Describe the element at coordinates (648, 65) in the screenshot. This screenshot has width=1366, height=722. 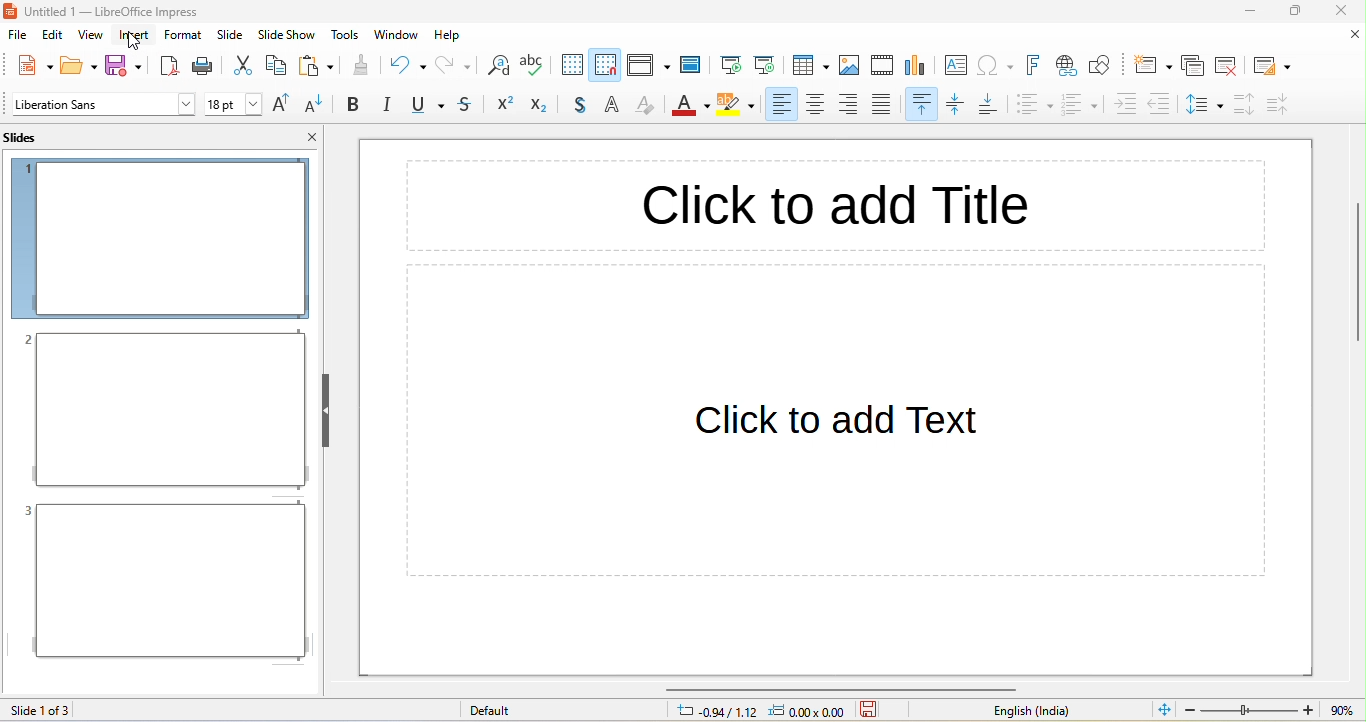
I see `display view` at that location.